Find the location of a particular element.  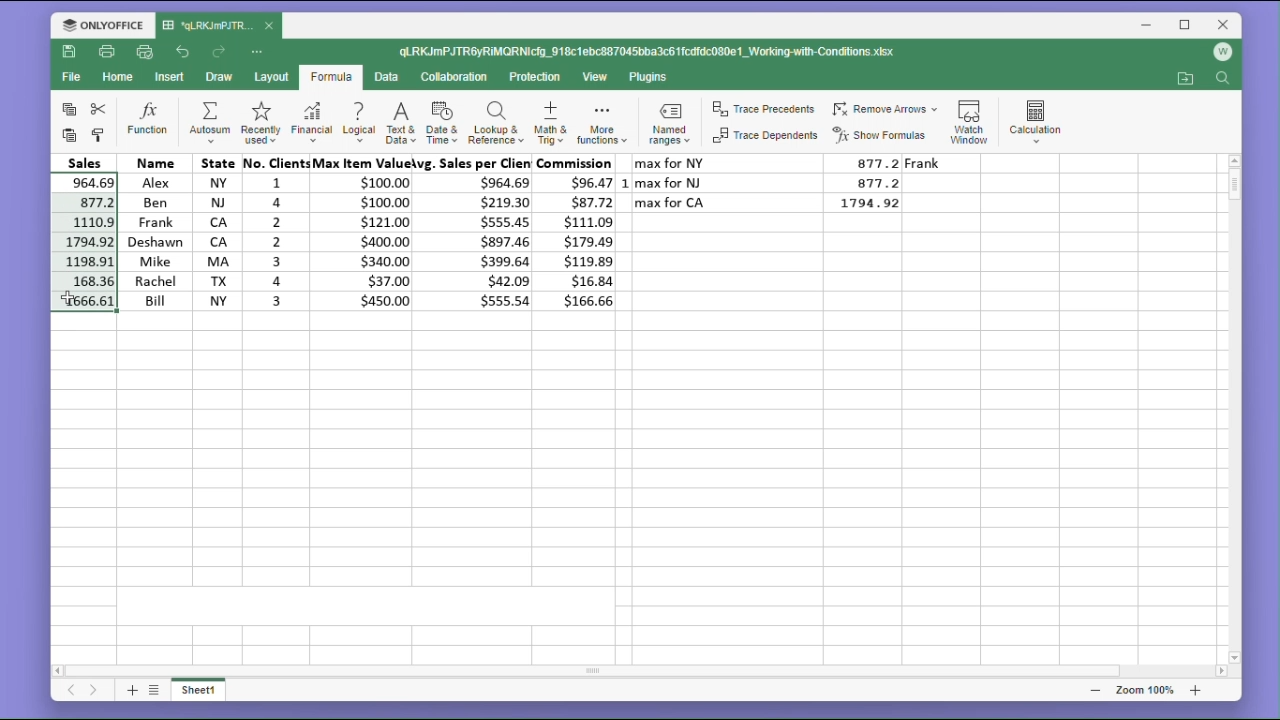

print file is located at coordinates (108, 53).